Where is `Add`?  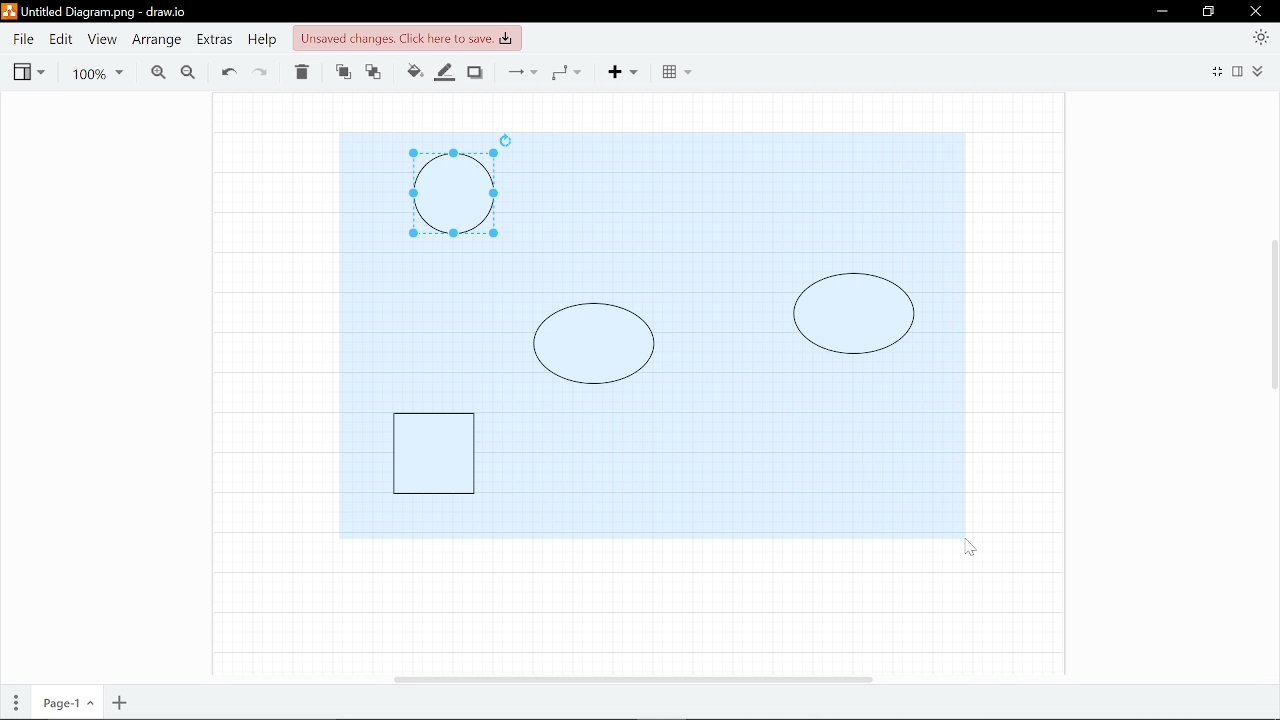 Add is located at coordinates (630, 71).